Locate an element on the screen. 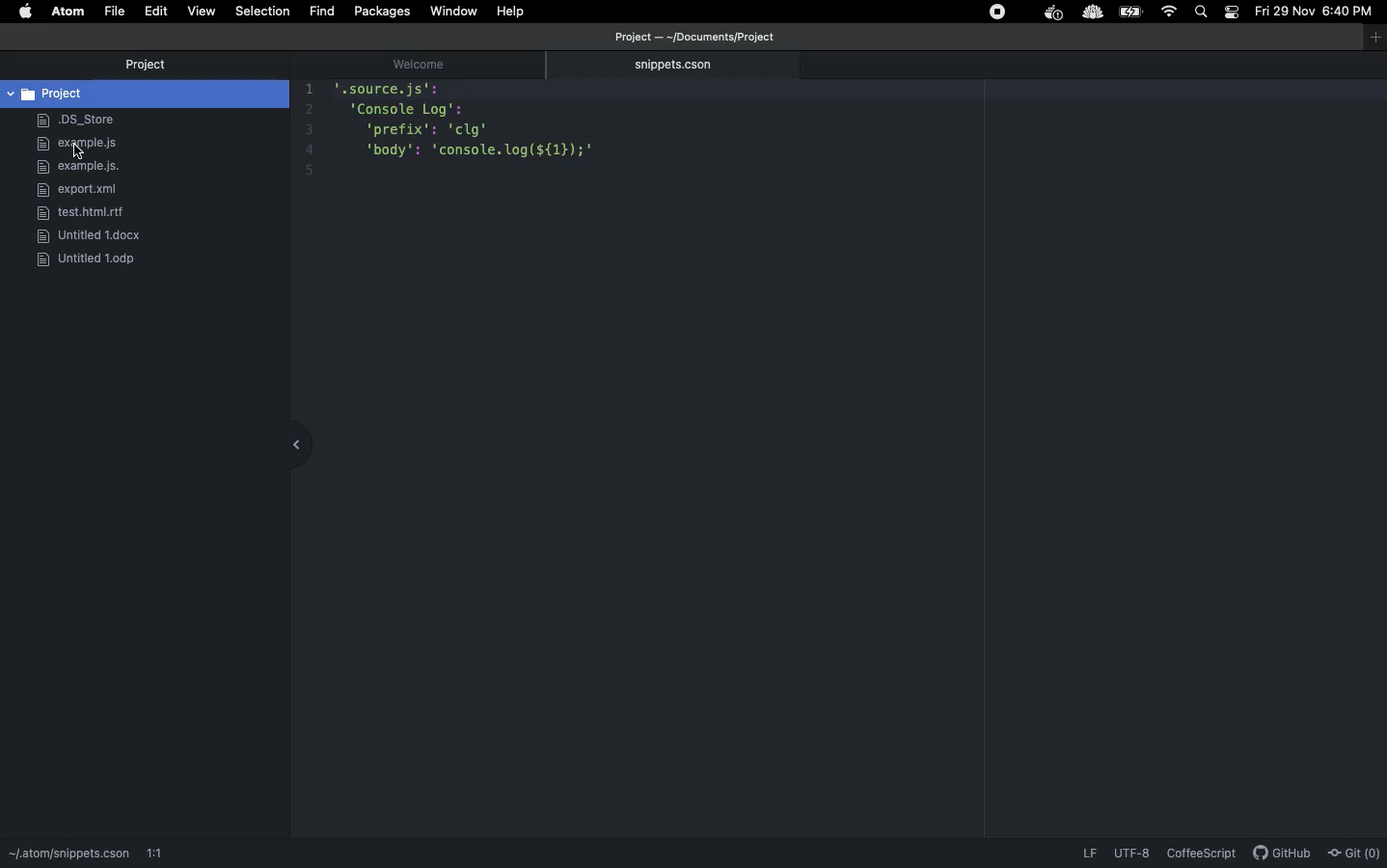 Image resolution: width=1387 pixels, height=868 pixels. Project is located at coordinates (146, 65).